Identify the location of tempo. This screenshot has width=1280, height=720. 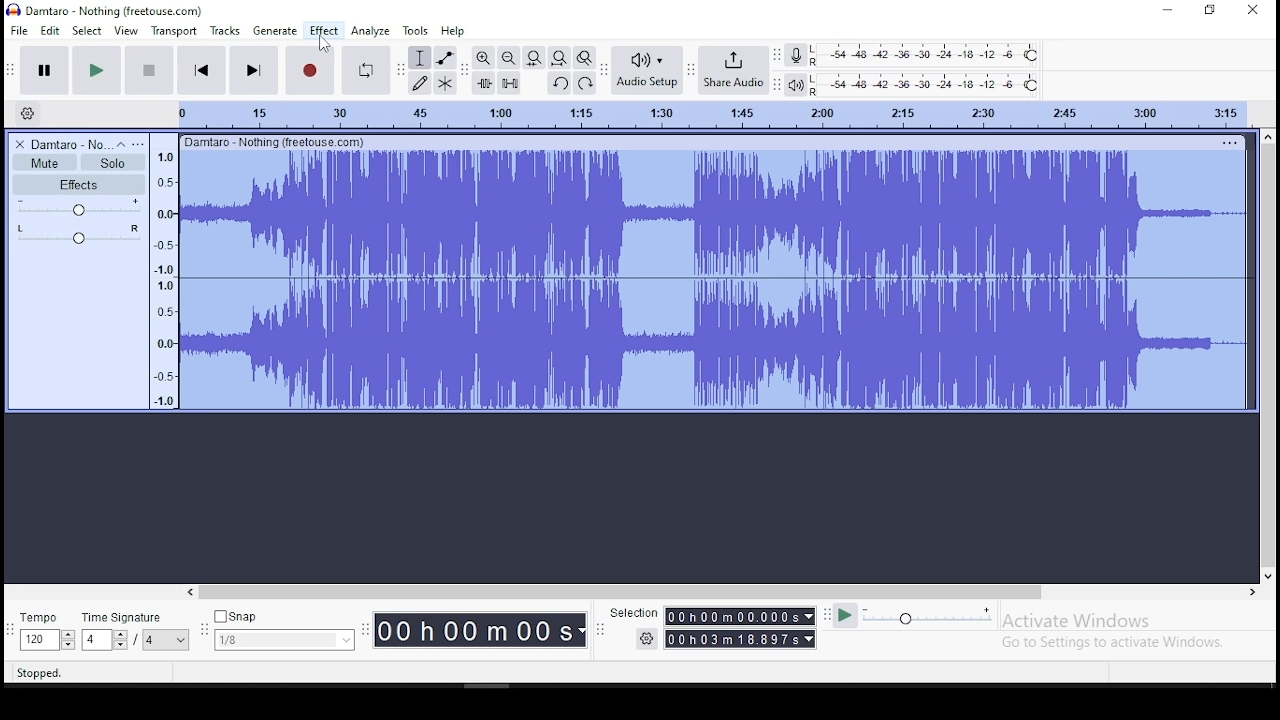
(44, 629).